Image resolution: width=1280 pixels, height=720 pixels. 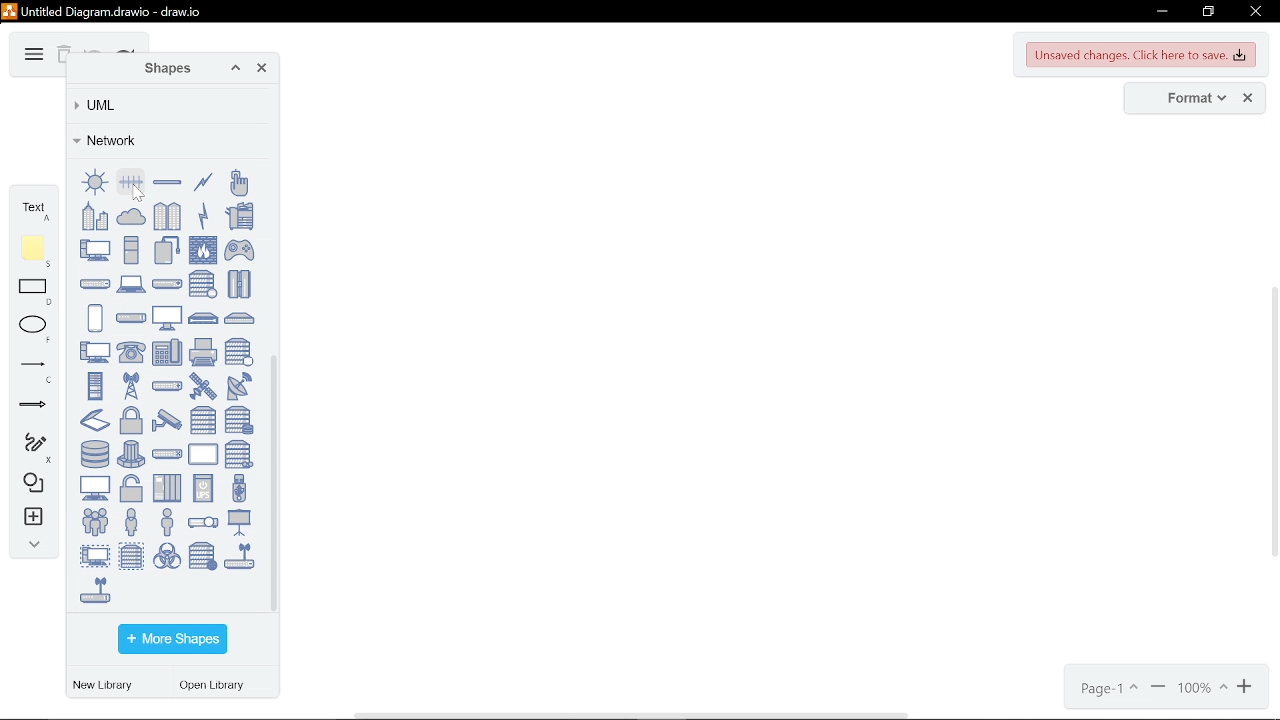 What do you see at coordinates (36, 329) in the screenshot?
I see `ellipse` at bounding box center [36, 329].